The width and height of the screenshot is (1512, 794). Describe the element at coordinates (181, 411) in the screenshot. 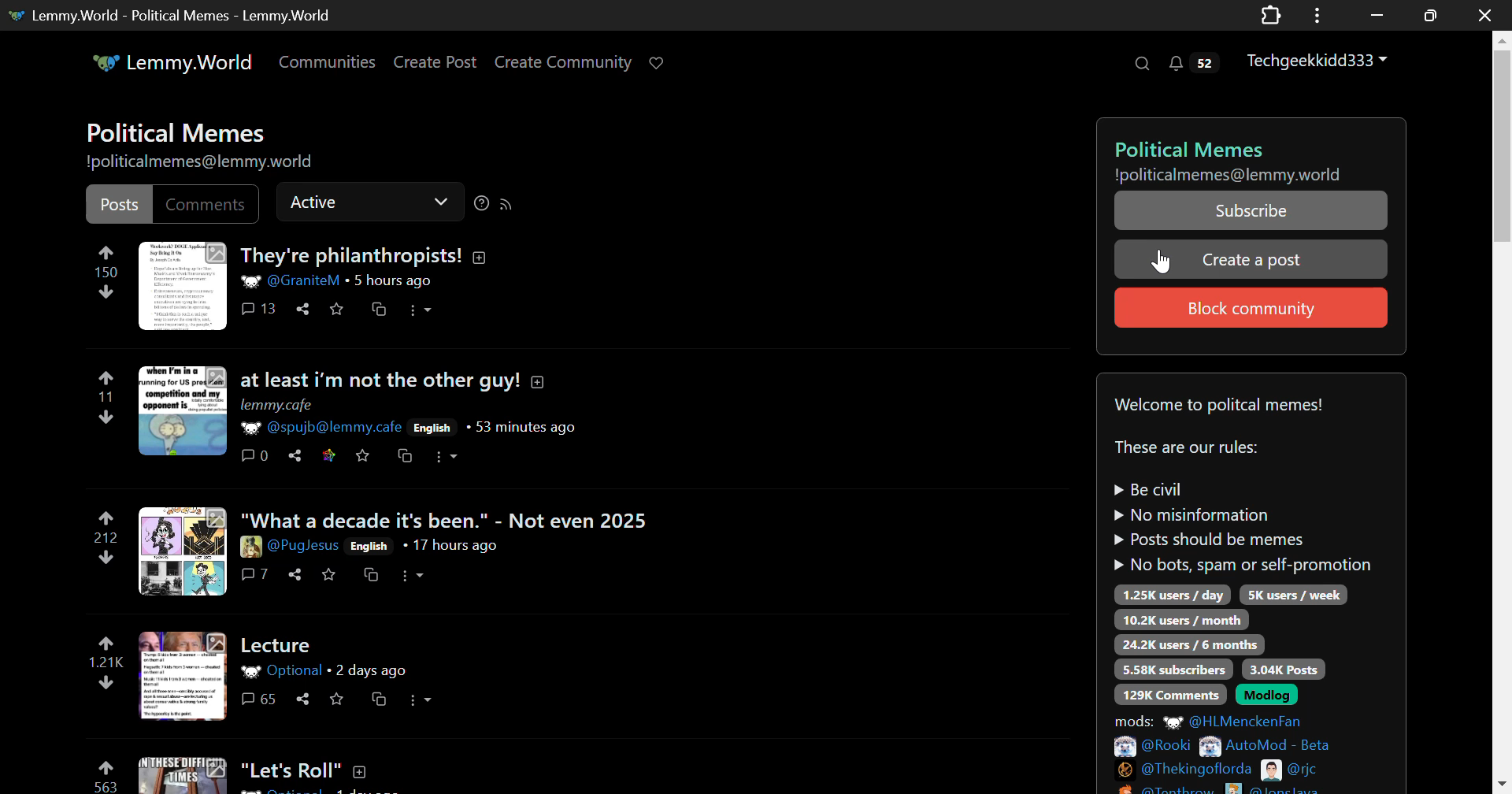

I see `Post Media` at that location.